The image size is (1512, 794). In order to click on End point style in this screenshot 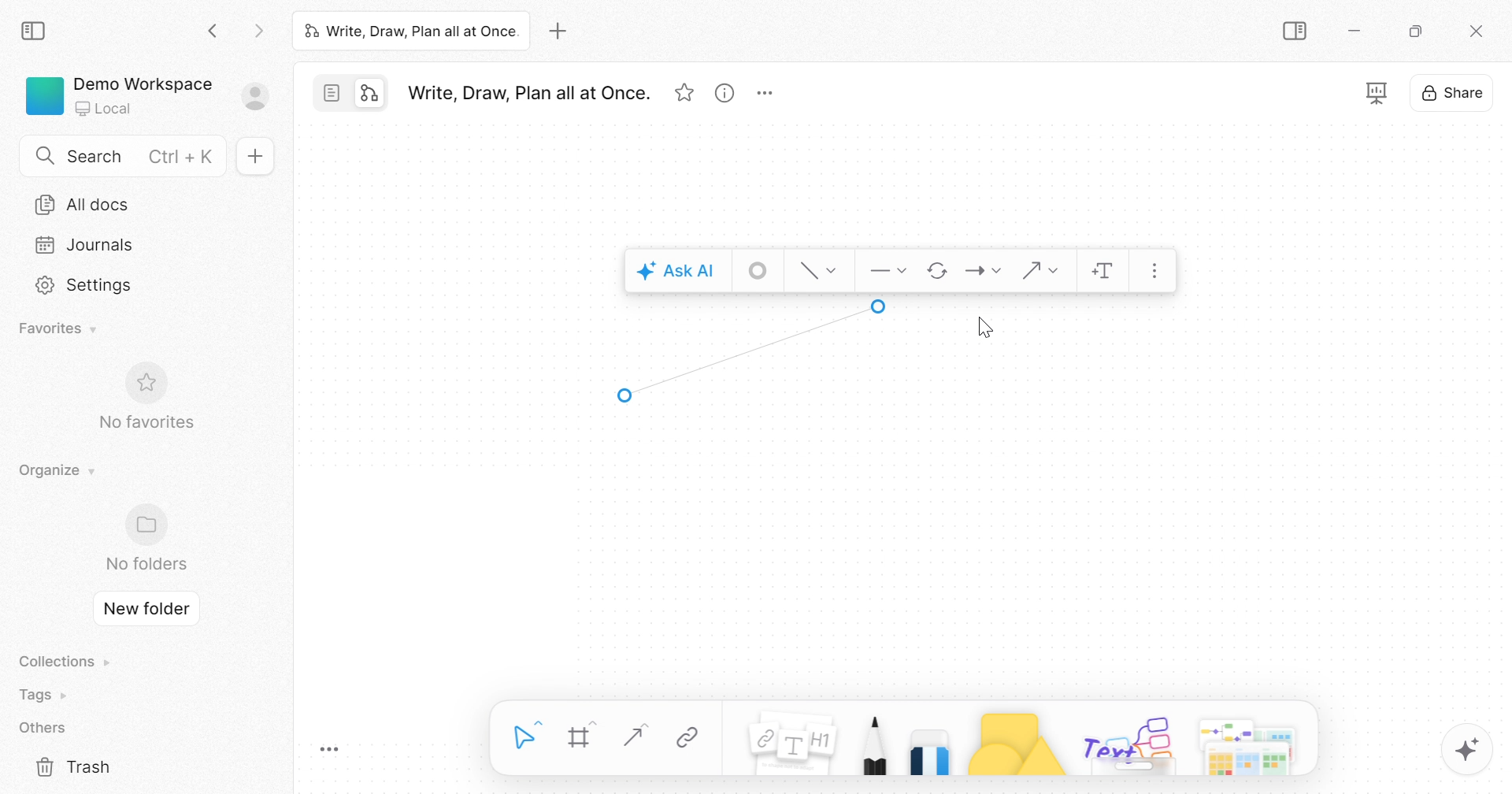, I will do `click(986, 220)`.